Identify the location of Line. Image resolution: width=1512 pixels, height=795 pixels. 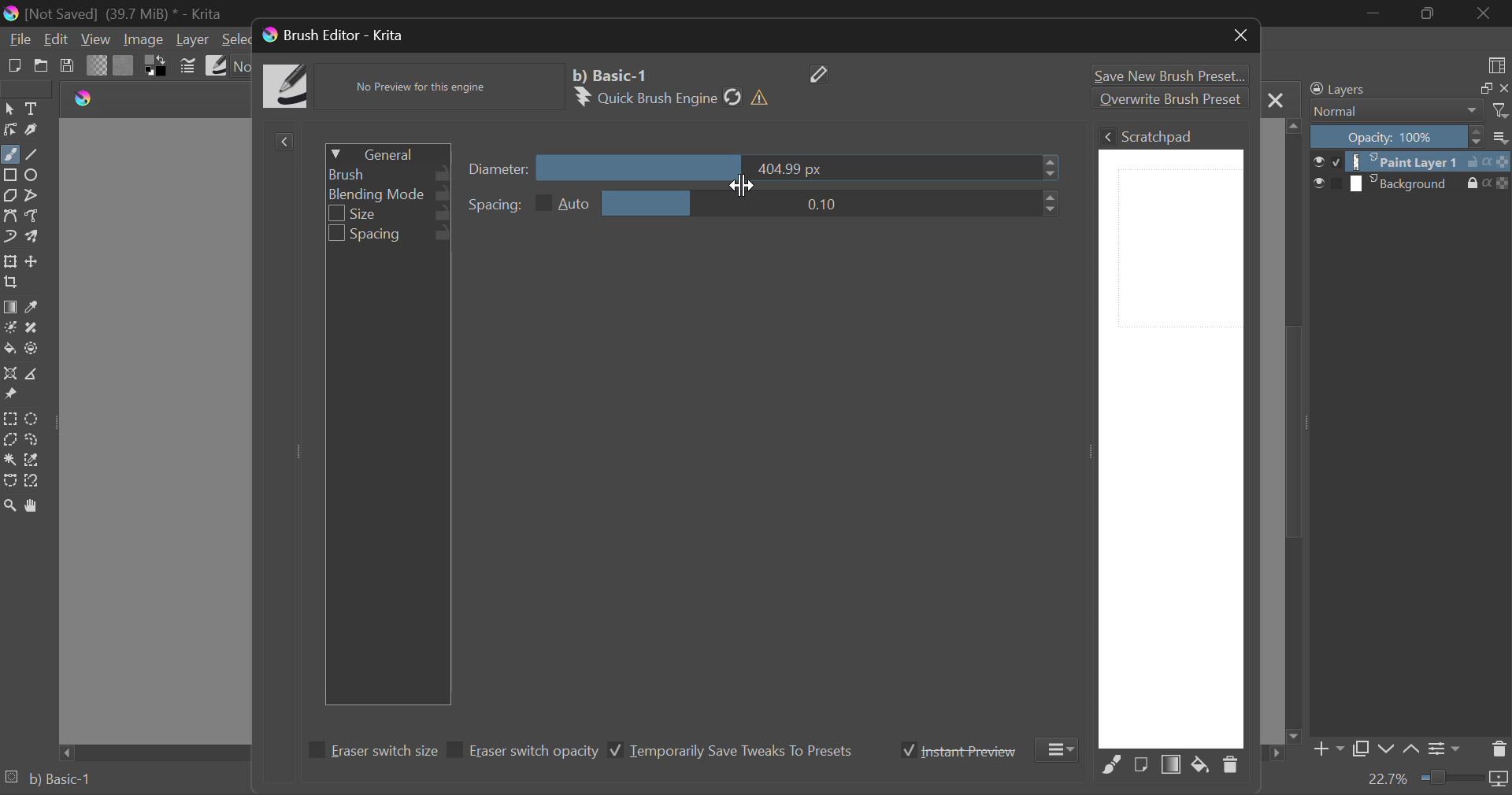
(32, 153).